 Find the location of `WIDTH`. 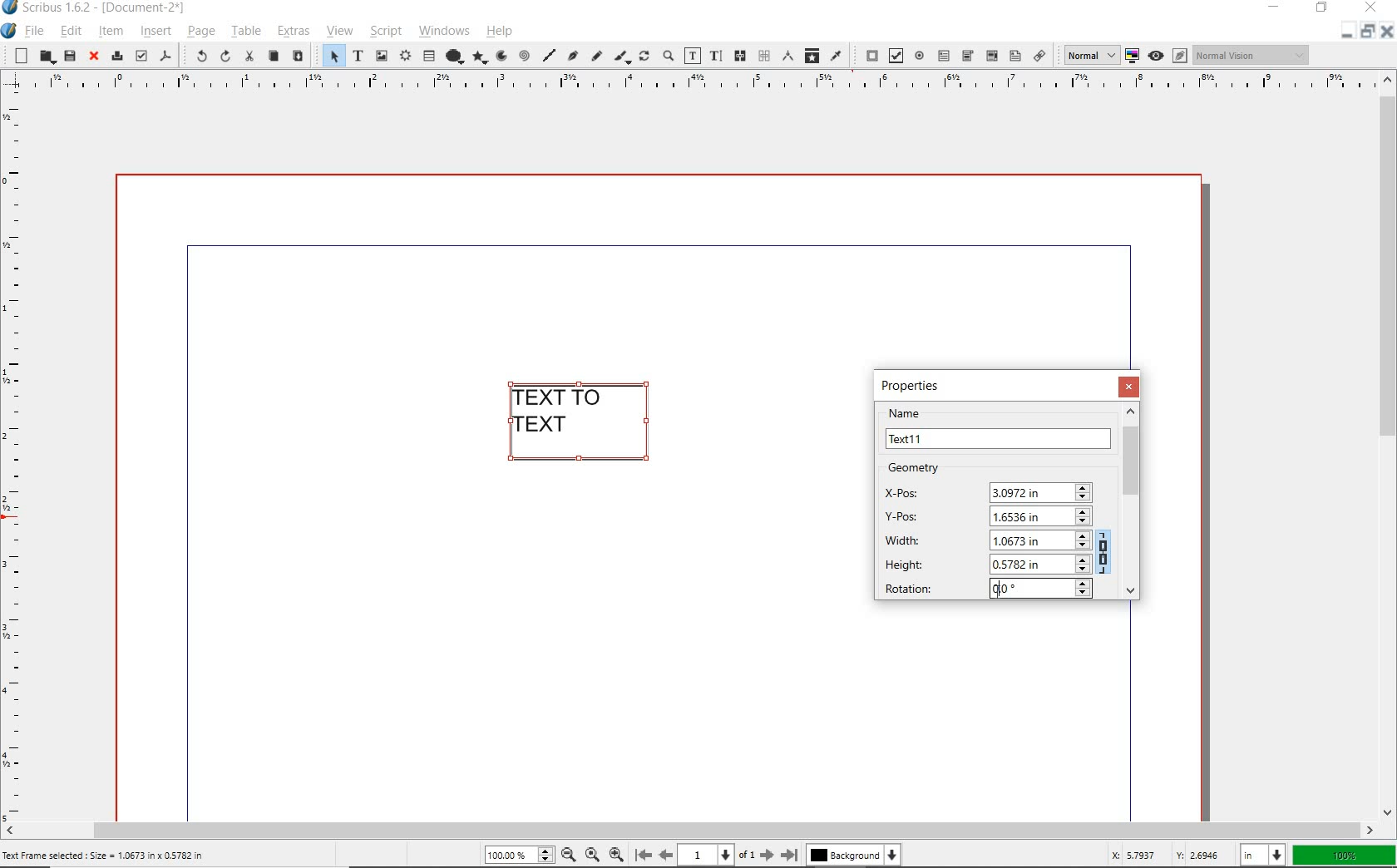

WIDTH is located at coordinates (986, 539).